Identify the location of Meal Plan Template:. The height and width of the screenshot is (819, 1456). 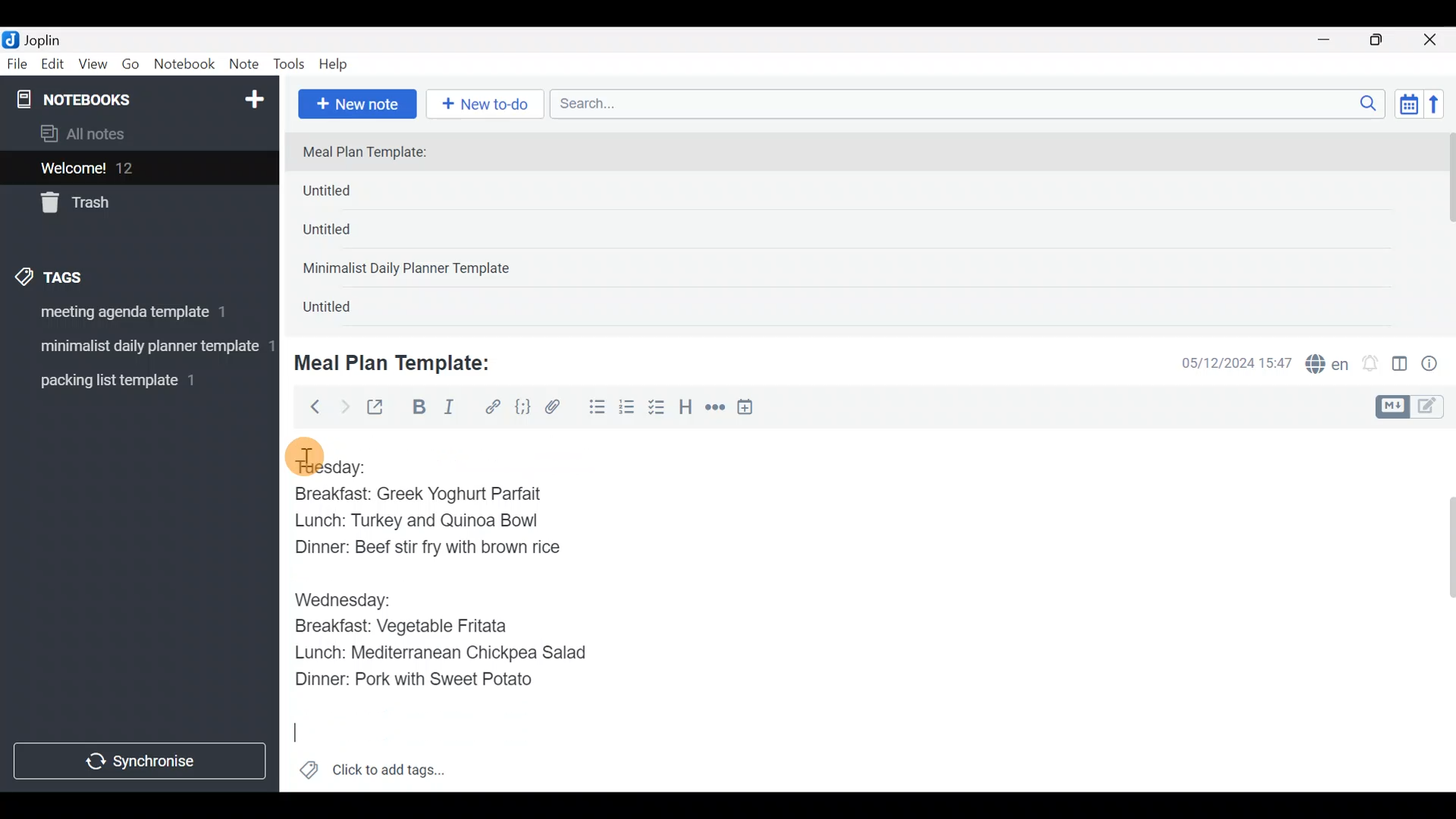
(374, 153).